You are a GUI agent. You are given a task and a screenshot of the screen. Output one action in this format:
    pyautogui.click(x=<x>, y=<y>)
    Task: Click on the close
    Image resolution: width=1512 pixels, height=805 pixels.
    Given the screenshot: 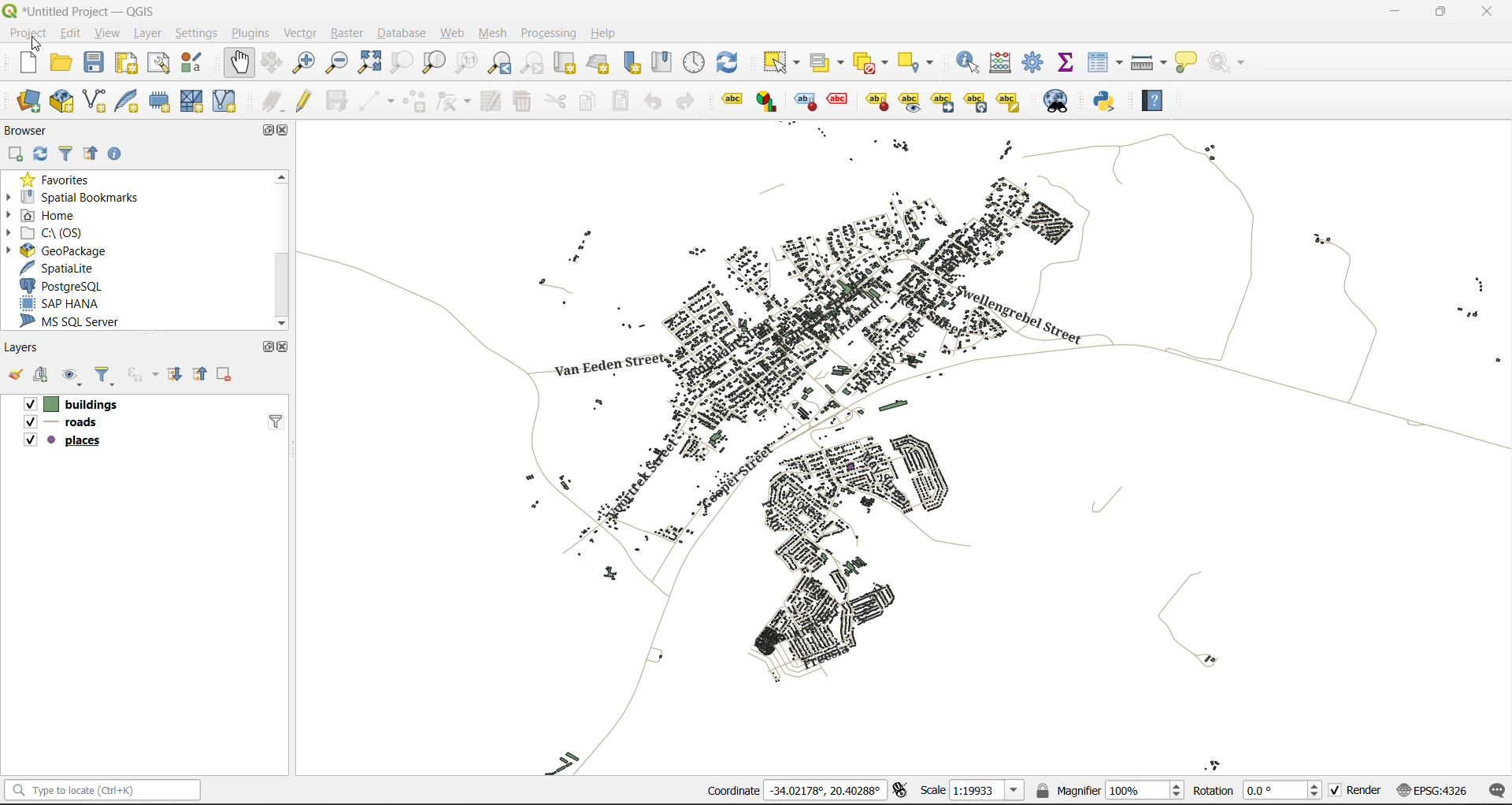 What is the action you would take?
    pyautogui.click(x=1487, y=11)
    